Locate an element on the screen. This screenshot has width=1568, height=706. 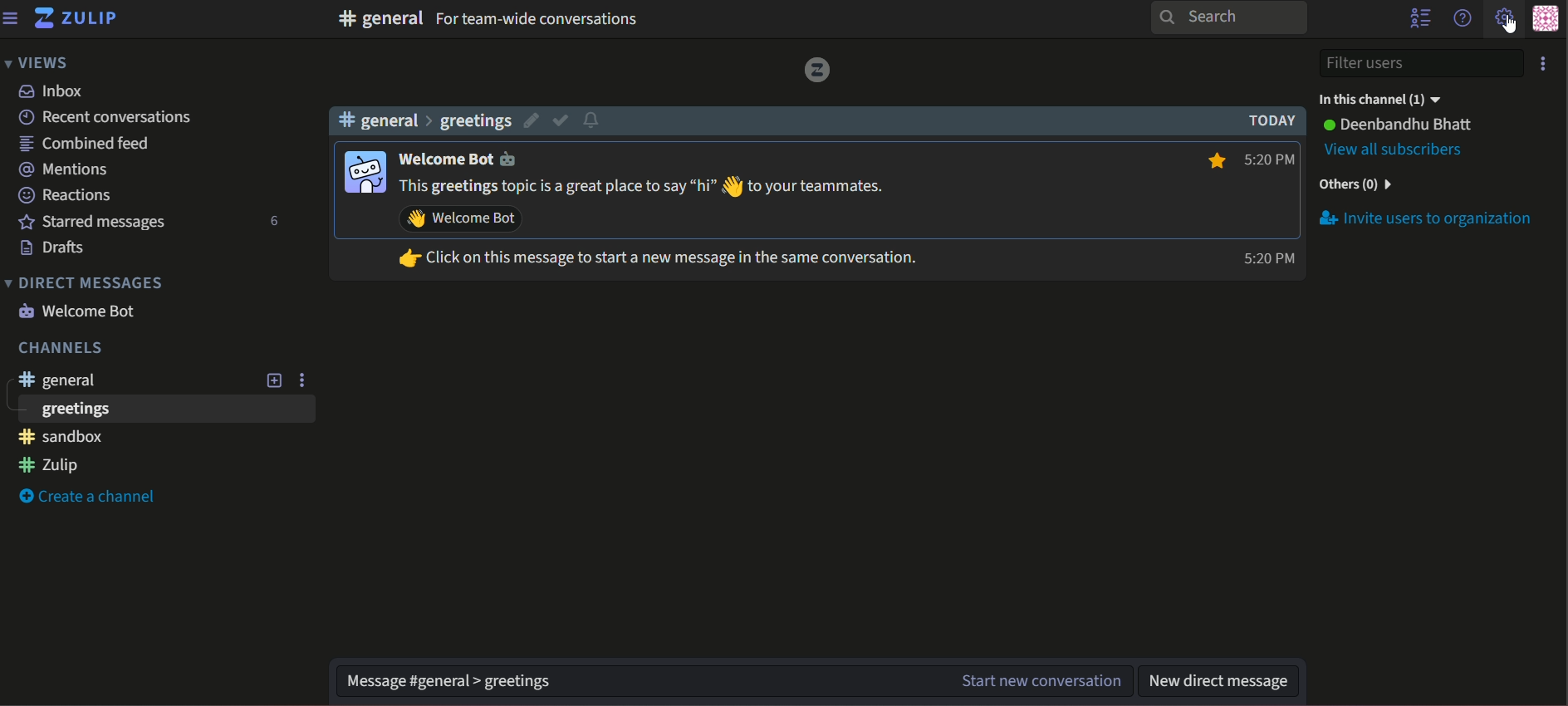
starred messages is located at coordinates (90, 222).